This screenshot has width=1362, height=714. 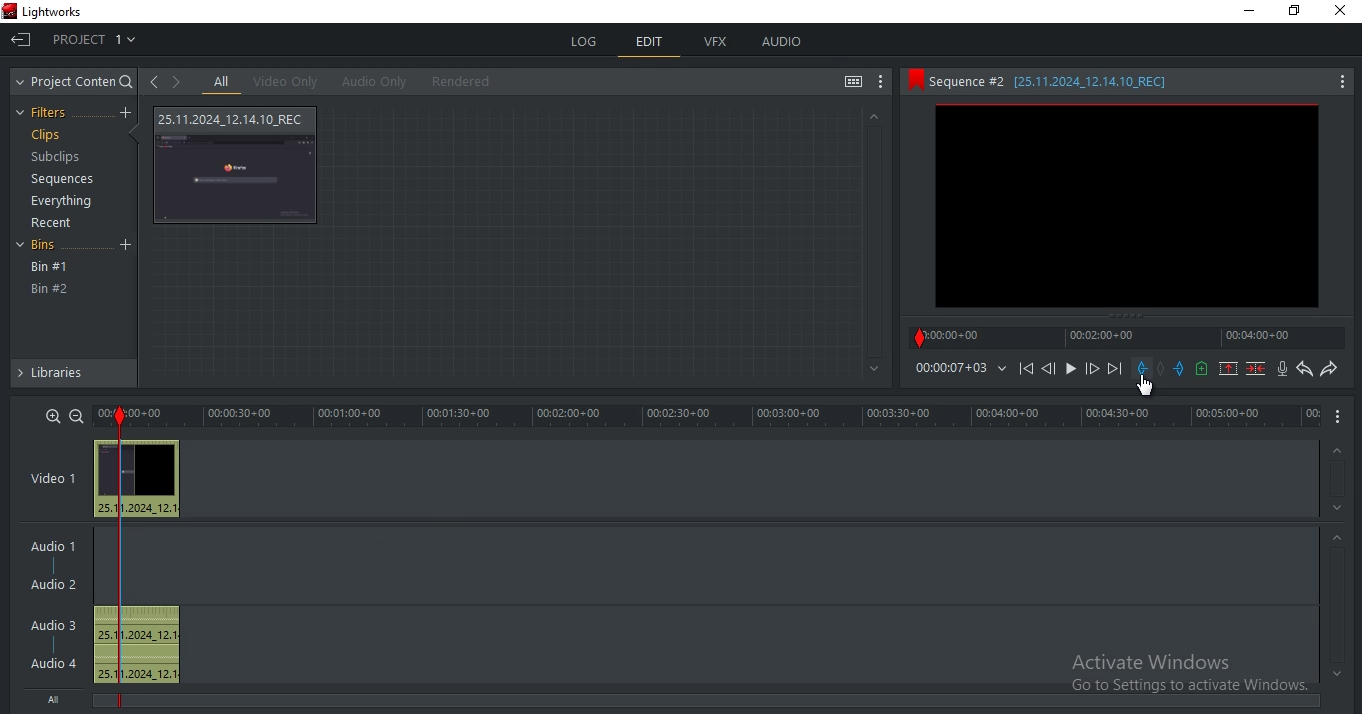 I want to click on Up, so click(x=1338, y=537).